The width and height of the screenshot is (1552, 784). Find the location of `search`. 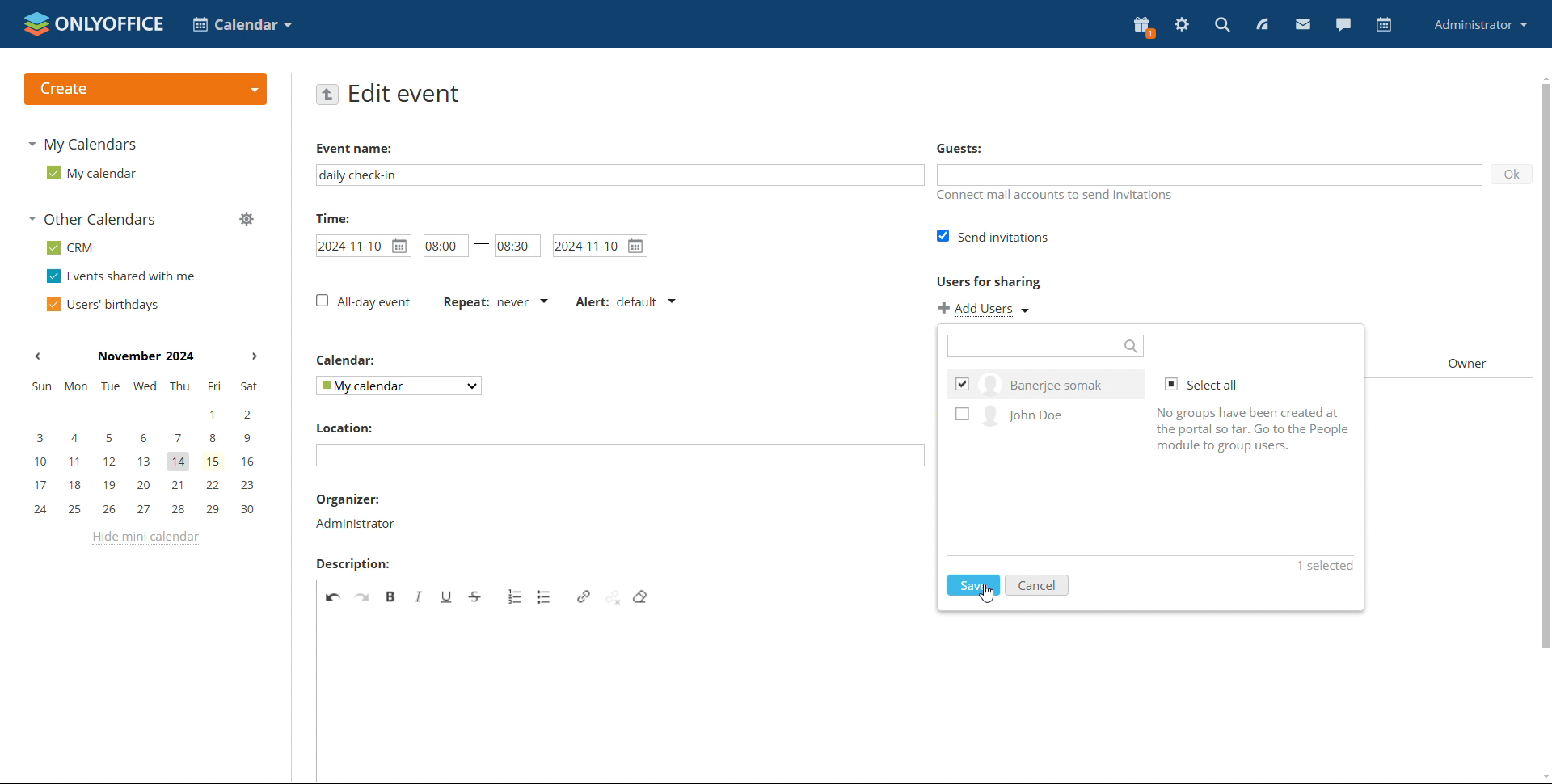

search is located at coordinates (1222, 24).